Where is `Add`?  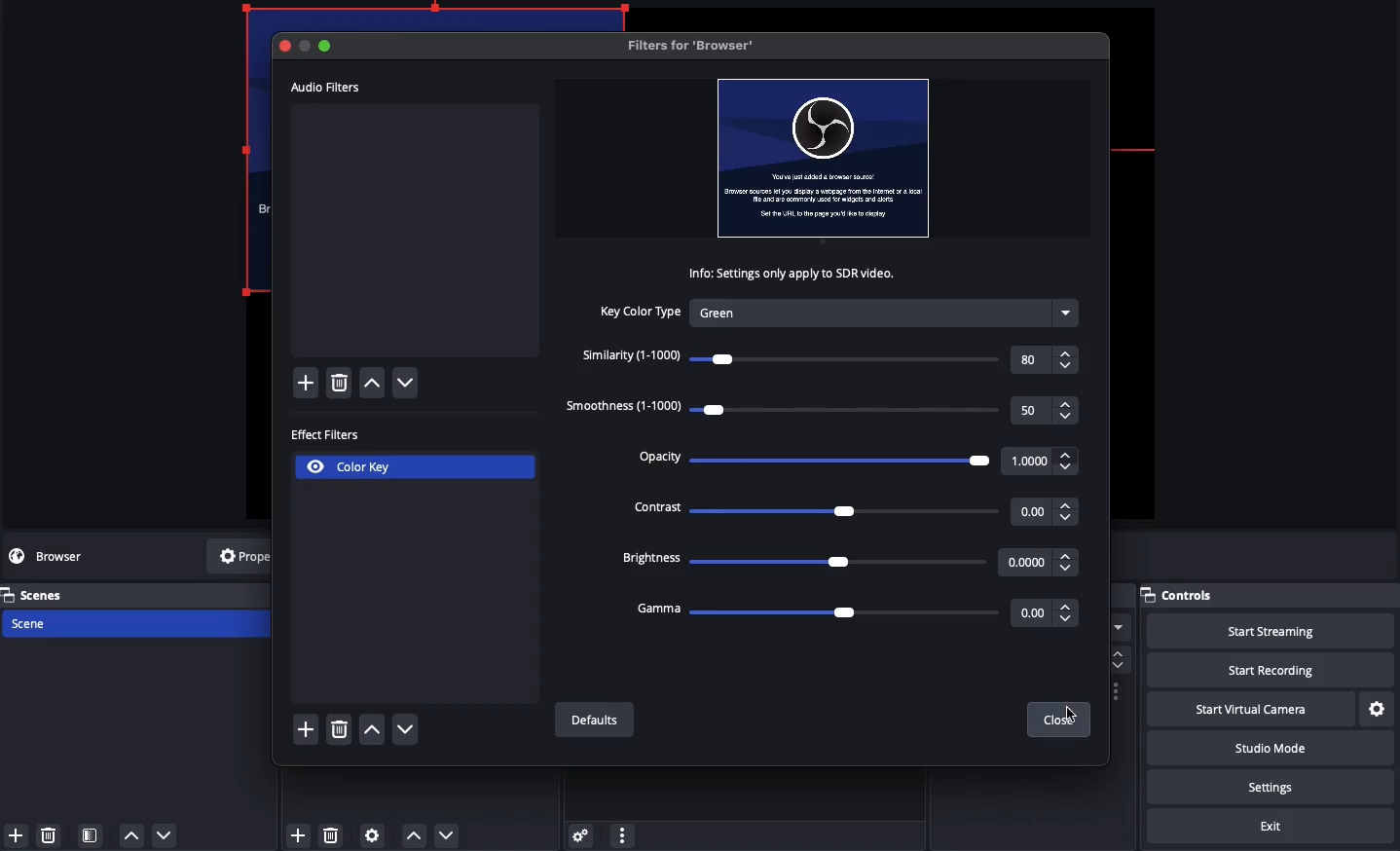 Add is located at coordinates (16, 834).